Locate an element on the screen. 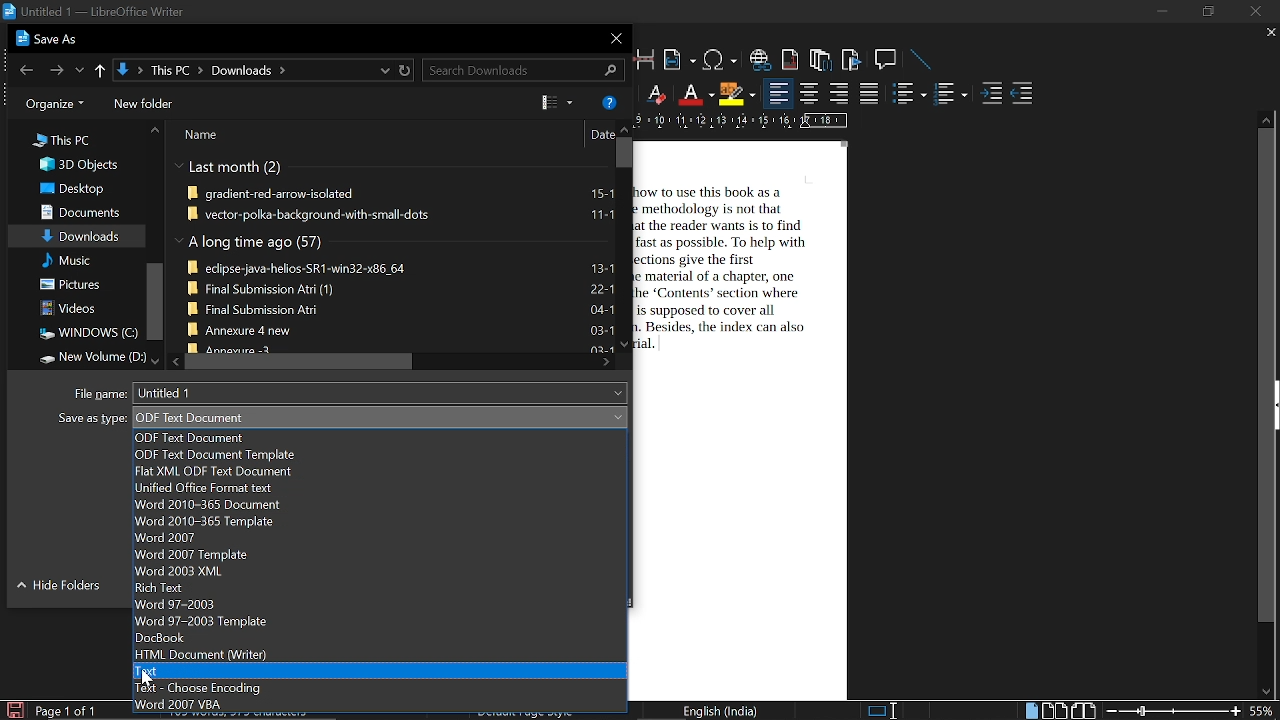 This screenshot has width=1280, height=720. justified is located at coordinates (870, 93).